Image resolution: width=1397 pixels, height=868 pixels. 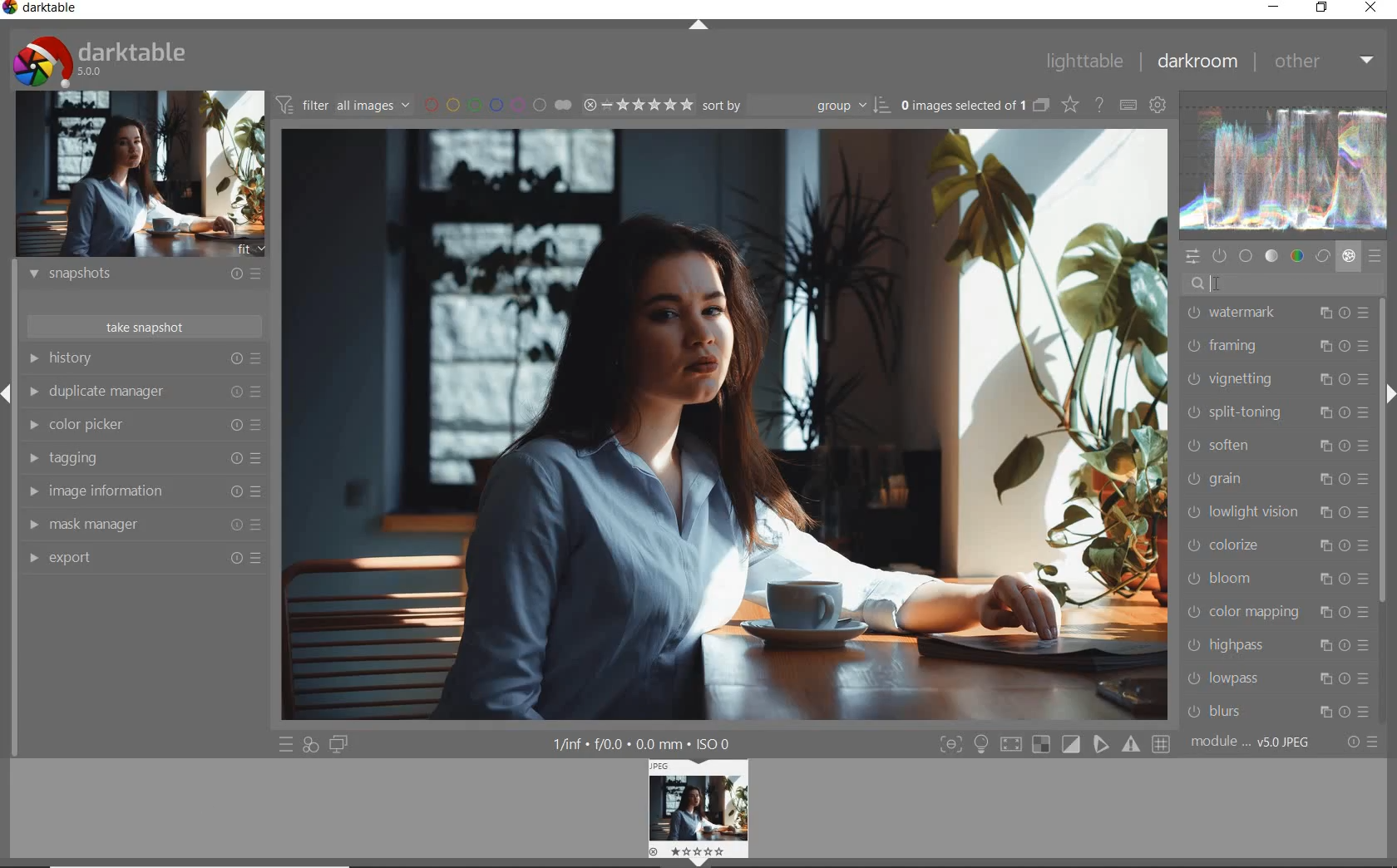 What do you see at coordinates (1321, 256) in the screenshot?
I see `correct` at bounding box center [1321, 256].